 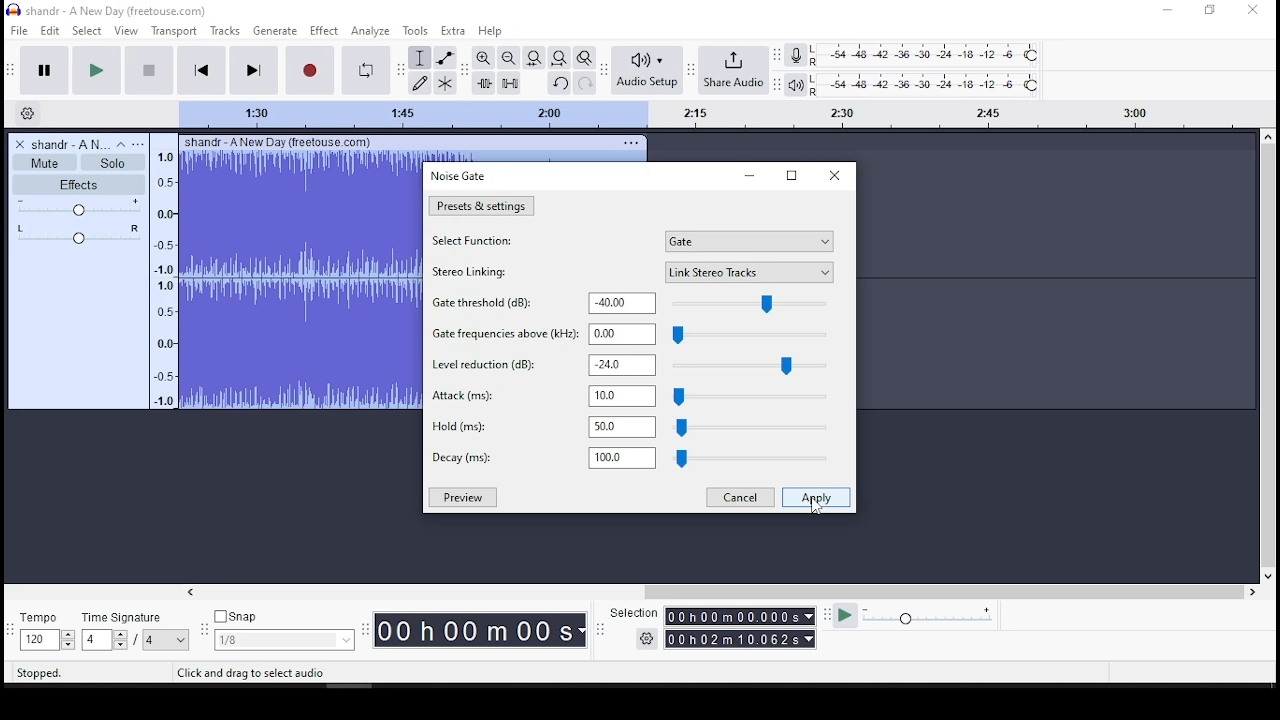 I want to click on select tool, so click(x=419, y=58).